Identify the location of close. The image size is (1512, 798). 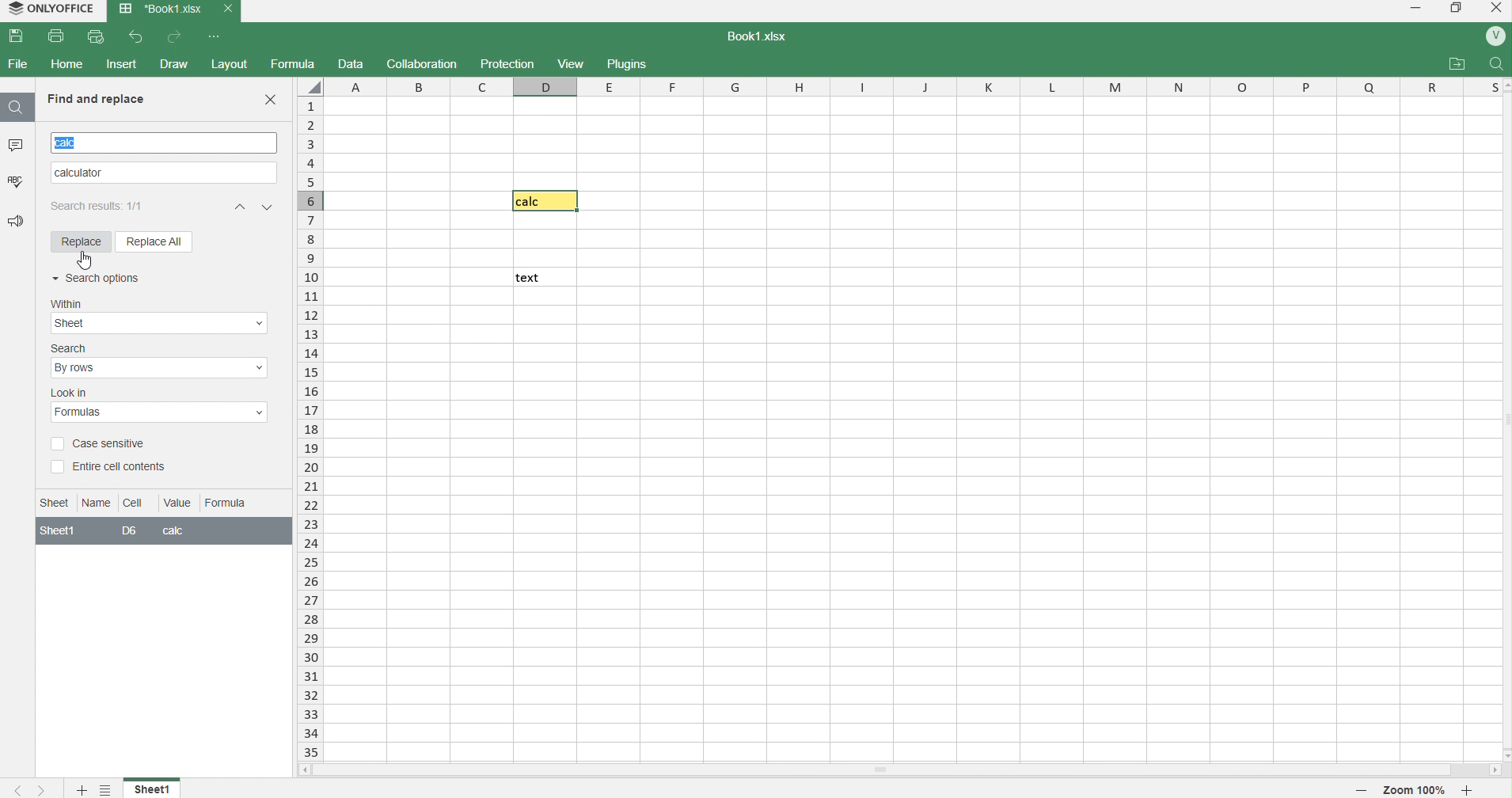
(1494, 11).